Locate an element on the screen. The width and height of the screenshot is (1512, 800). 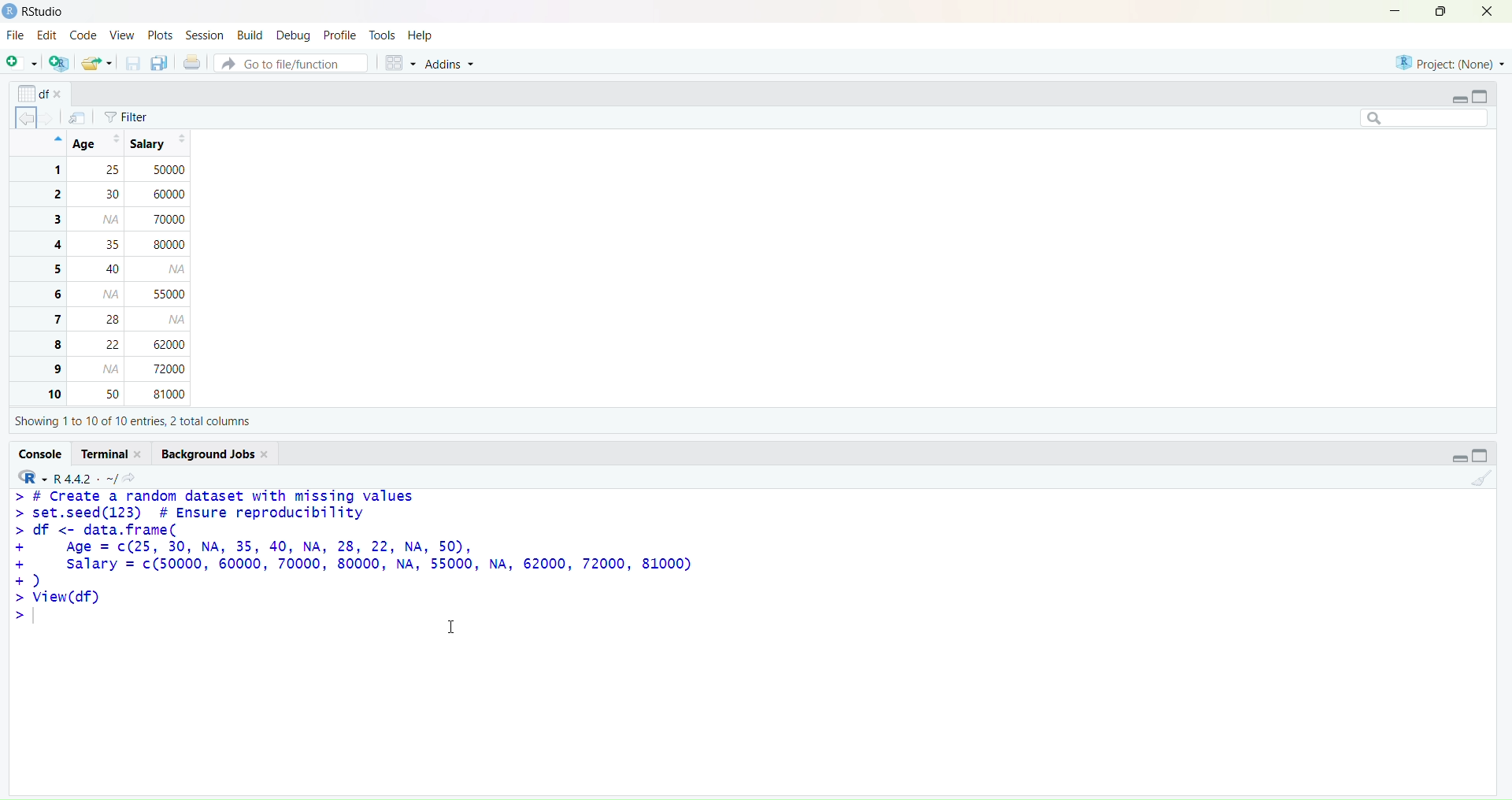
profile is located at coordinates (339, 35).